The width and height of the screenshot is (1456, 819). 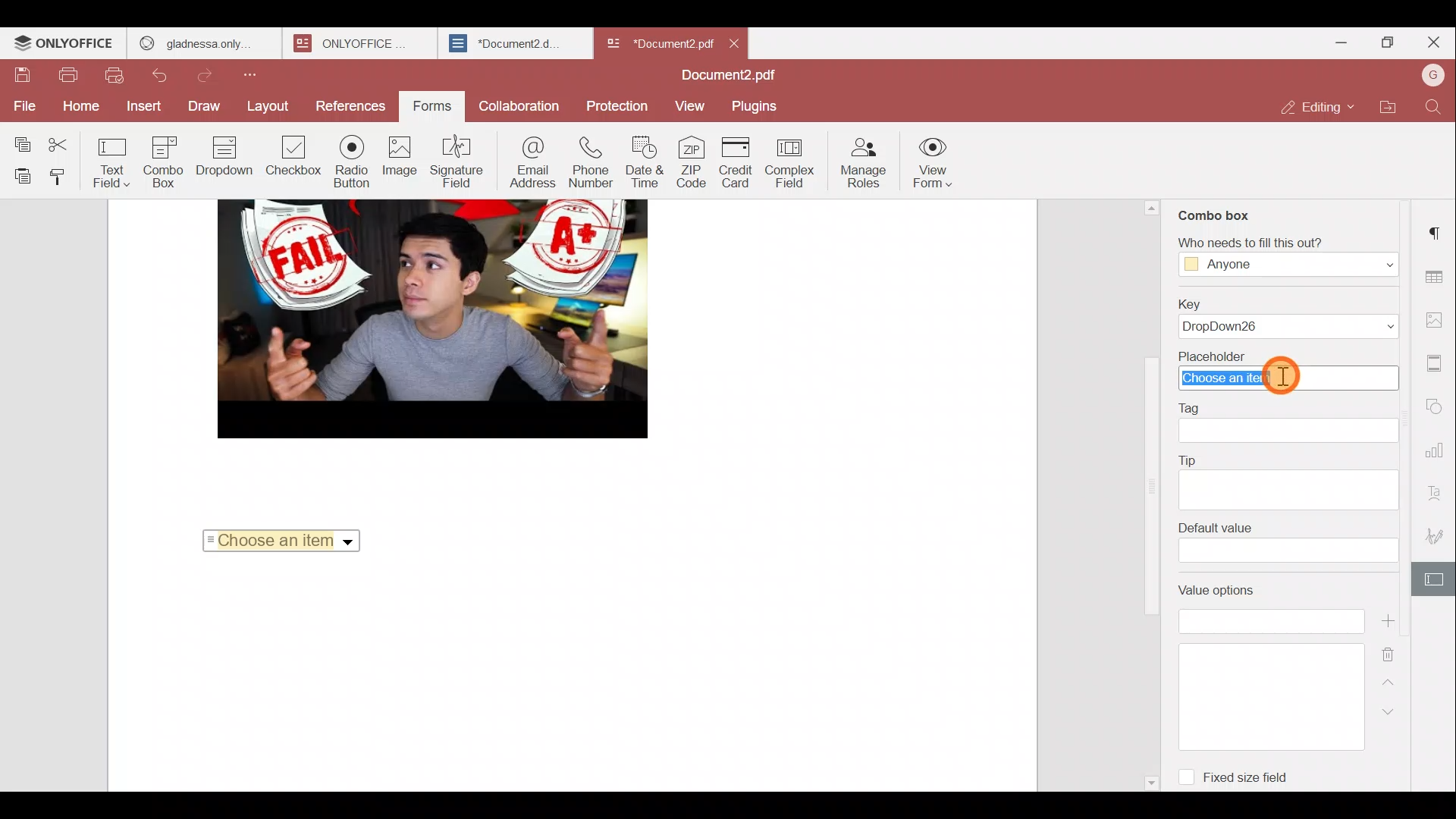 What do you see at coordinates (1289, 479) in the screenshot?
I see `Tip` at bounding box center [1289, 479].